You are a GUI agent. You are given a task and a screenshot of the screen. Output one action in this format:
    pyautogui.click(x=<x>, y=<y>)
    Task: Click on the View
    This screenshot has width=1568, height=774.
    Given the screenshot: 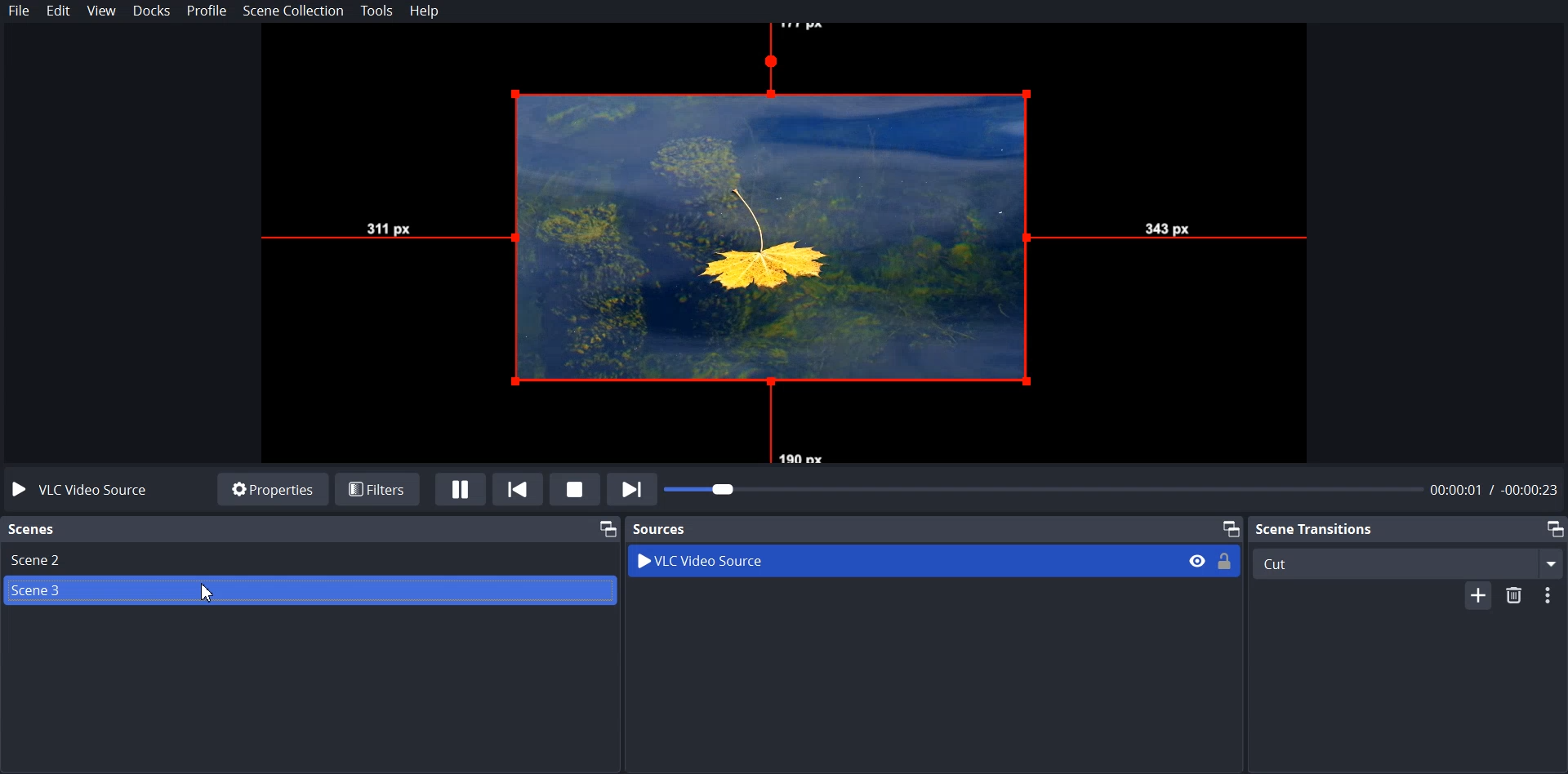 What is the action you would take?
    pyautogui.click(x=102, y=11)
    